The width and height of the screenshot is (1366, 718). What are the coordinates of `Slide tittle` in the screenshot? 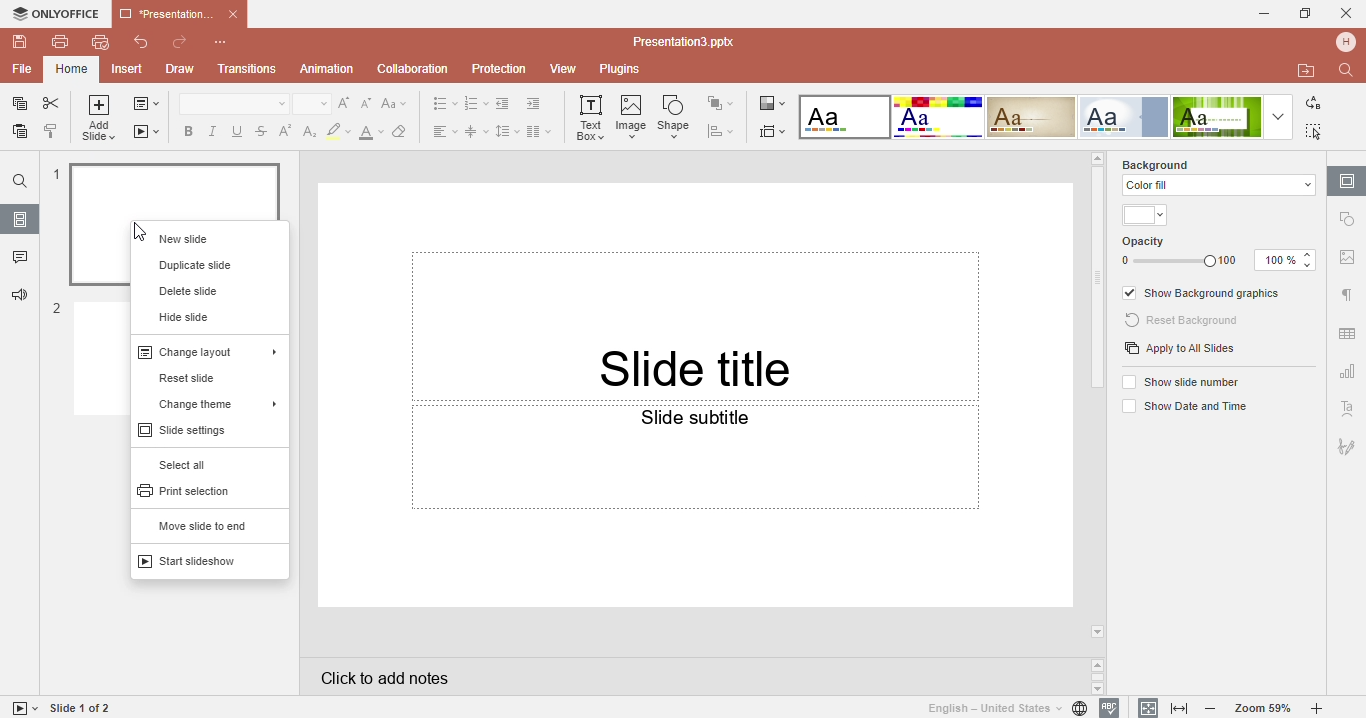 It's located at (697, 293).